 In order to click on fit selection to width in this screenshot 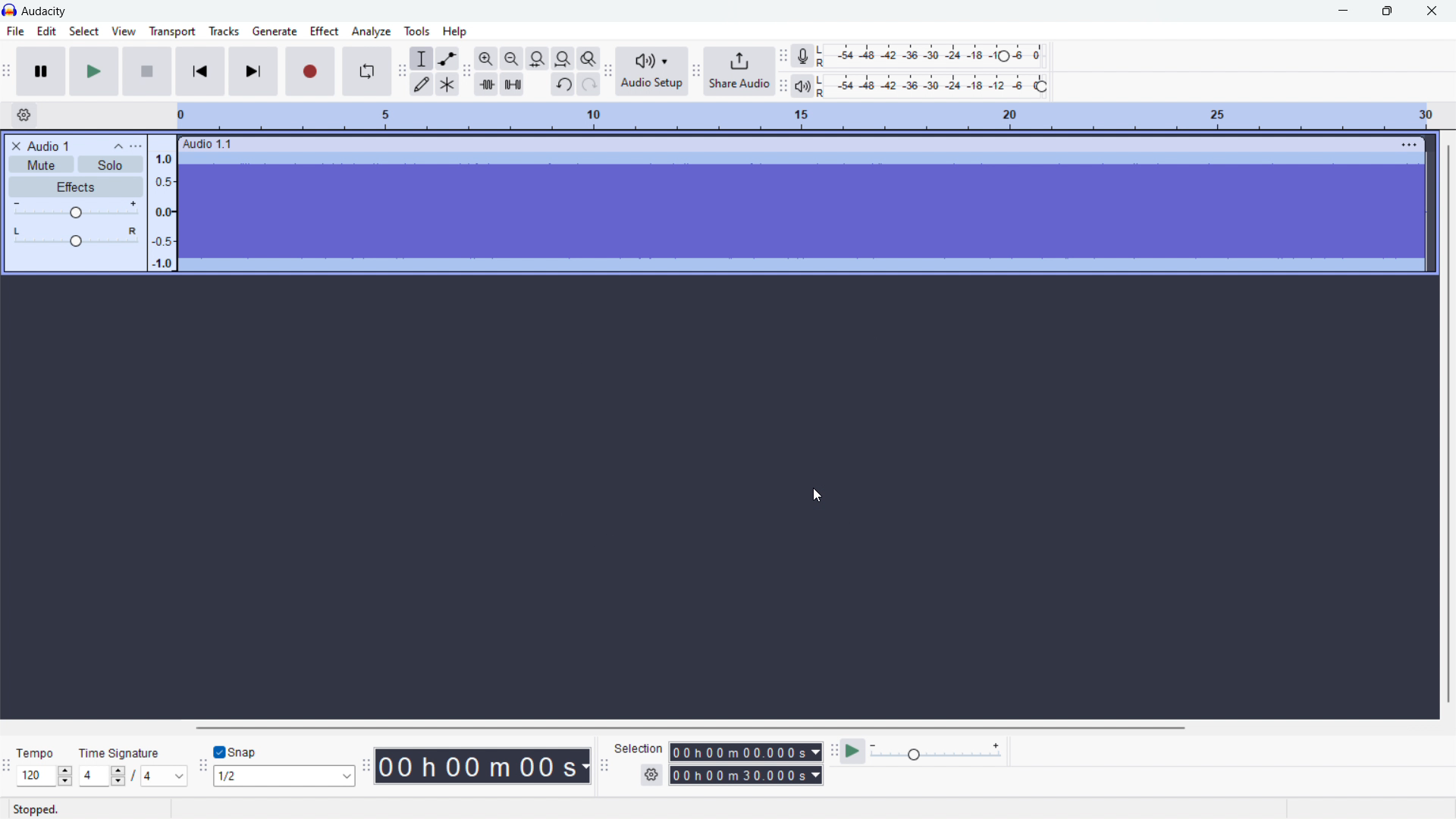, I will do `click(538, 58)`.